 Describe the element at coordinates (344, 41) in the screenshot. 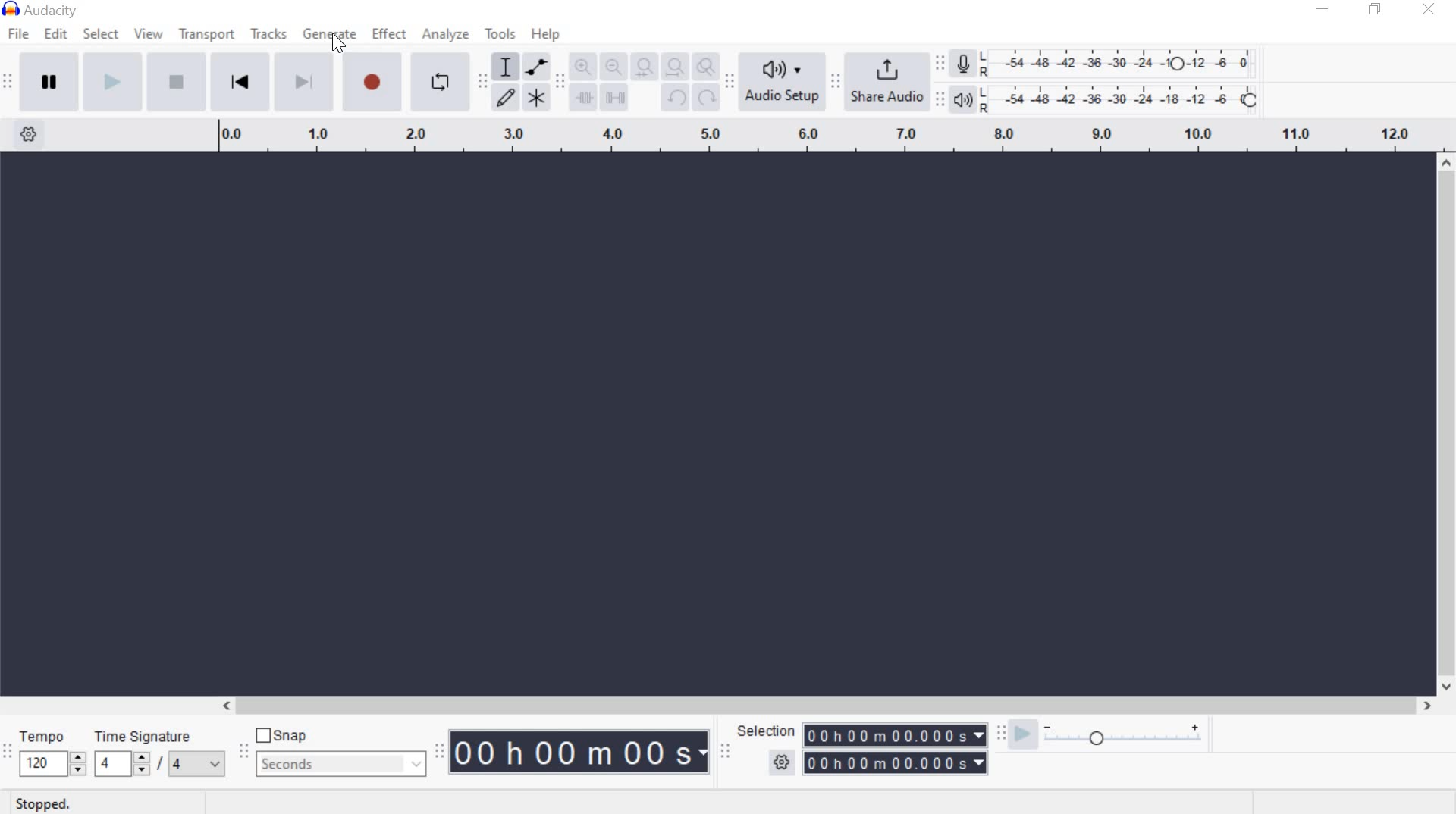

I see `cursor` at that location.